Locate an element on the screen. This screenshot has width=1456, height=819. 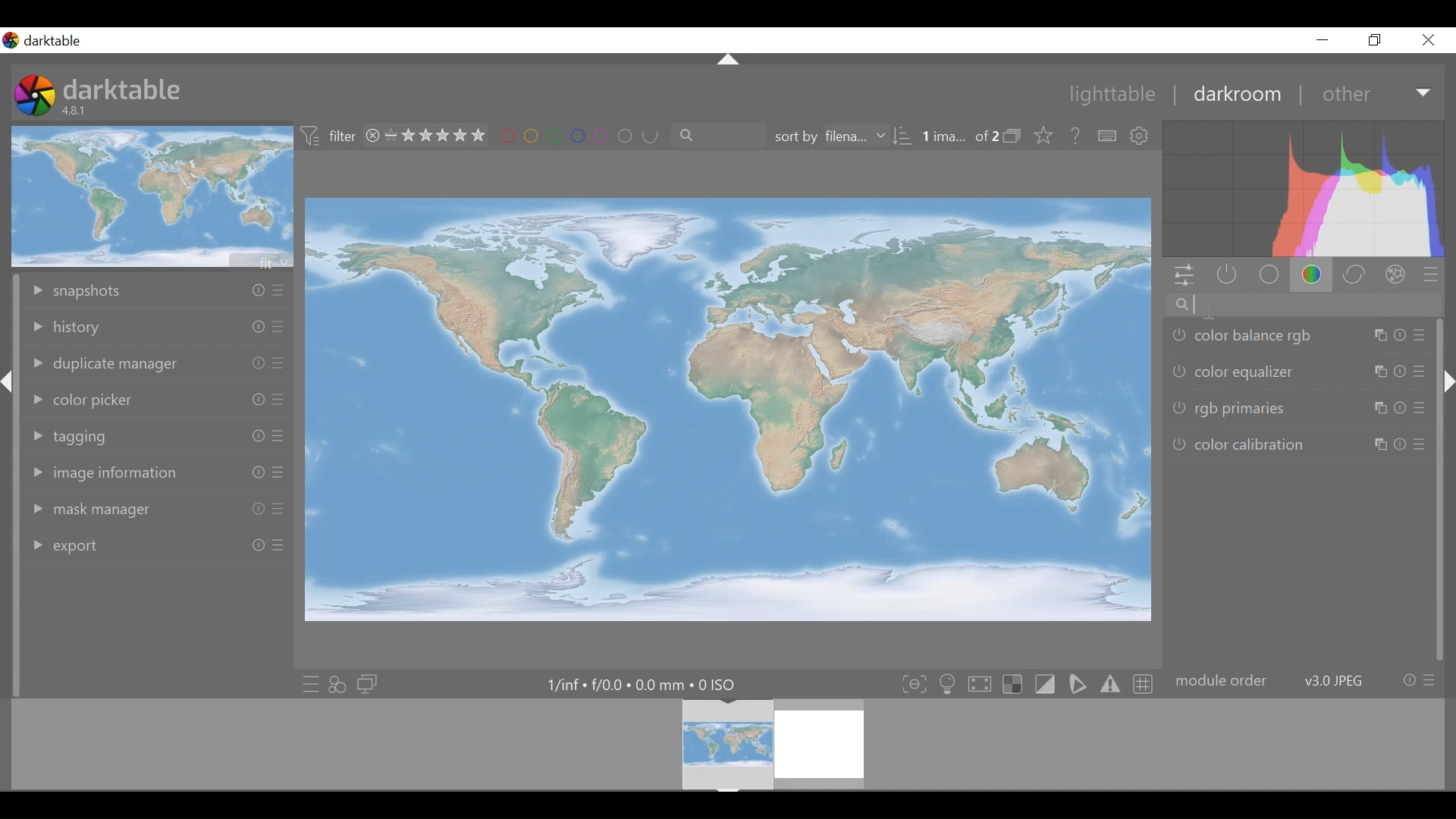
main editing area is located at coordinates (730, 409).